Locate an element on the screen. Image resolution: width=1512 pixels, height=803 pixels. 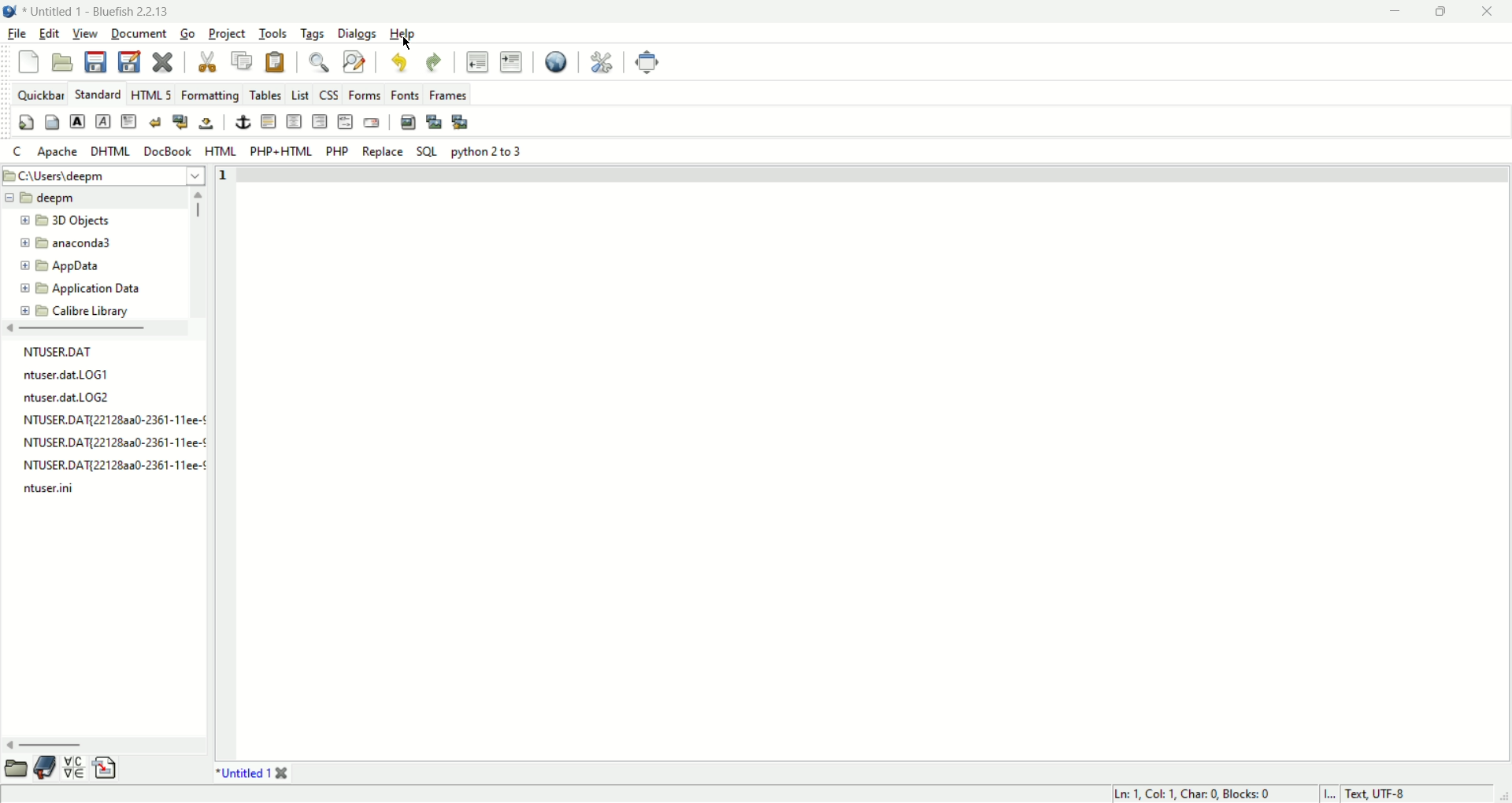
file name is located at coordinates (114, 442).